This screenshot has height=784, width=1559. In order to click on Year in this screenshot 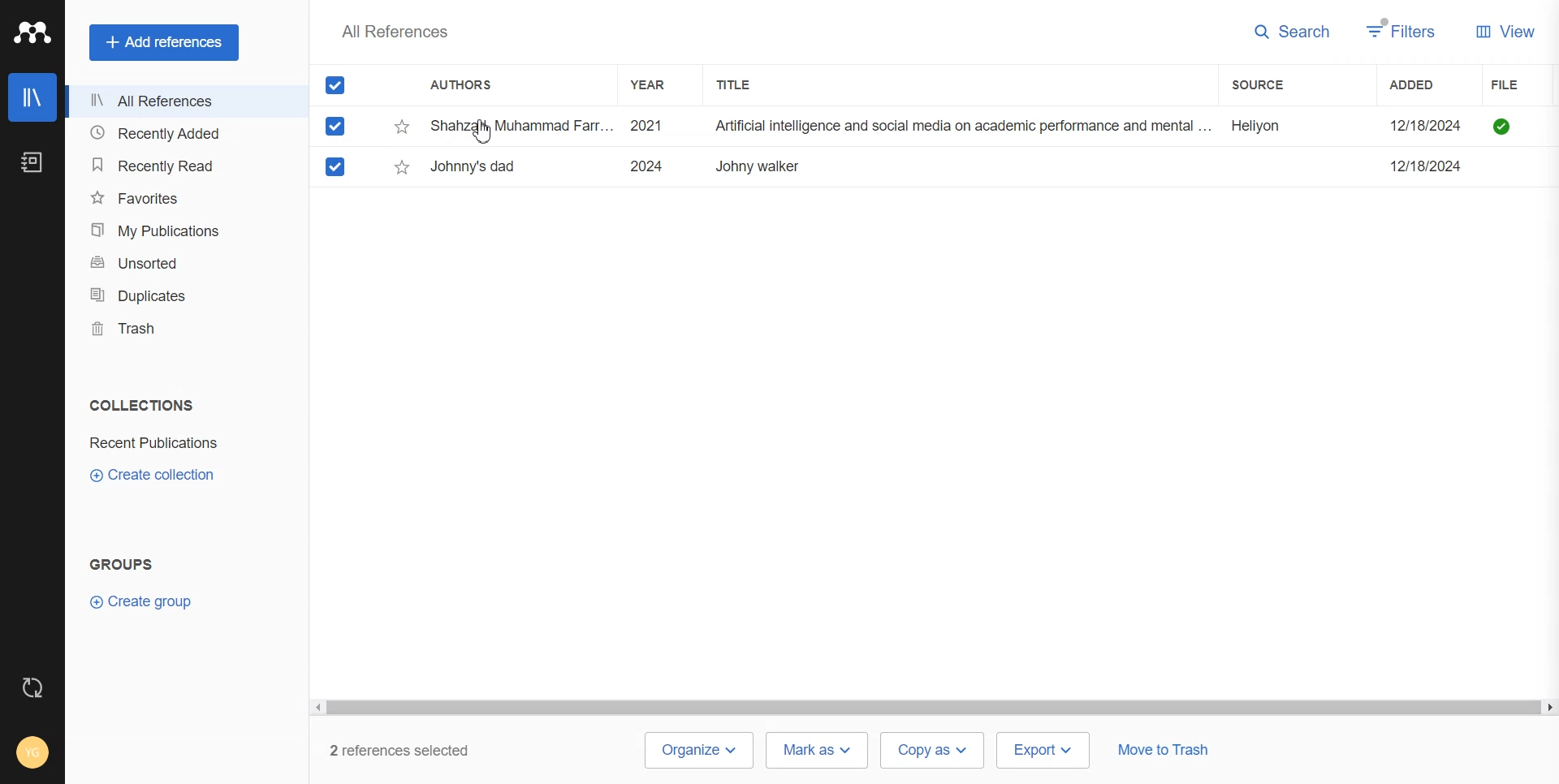, I will do `click(655, 84)`.